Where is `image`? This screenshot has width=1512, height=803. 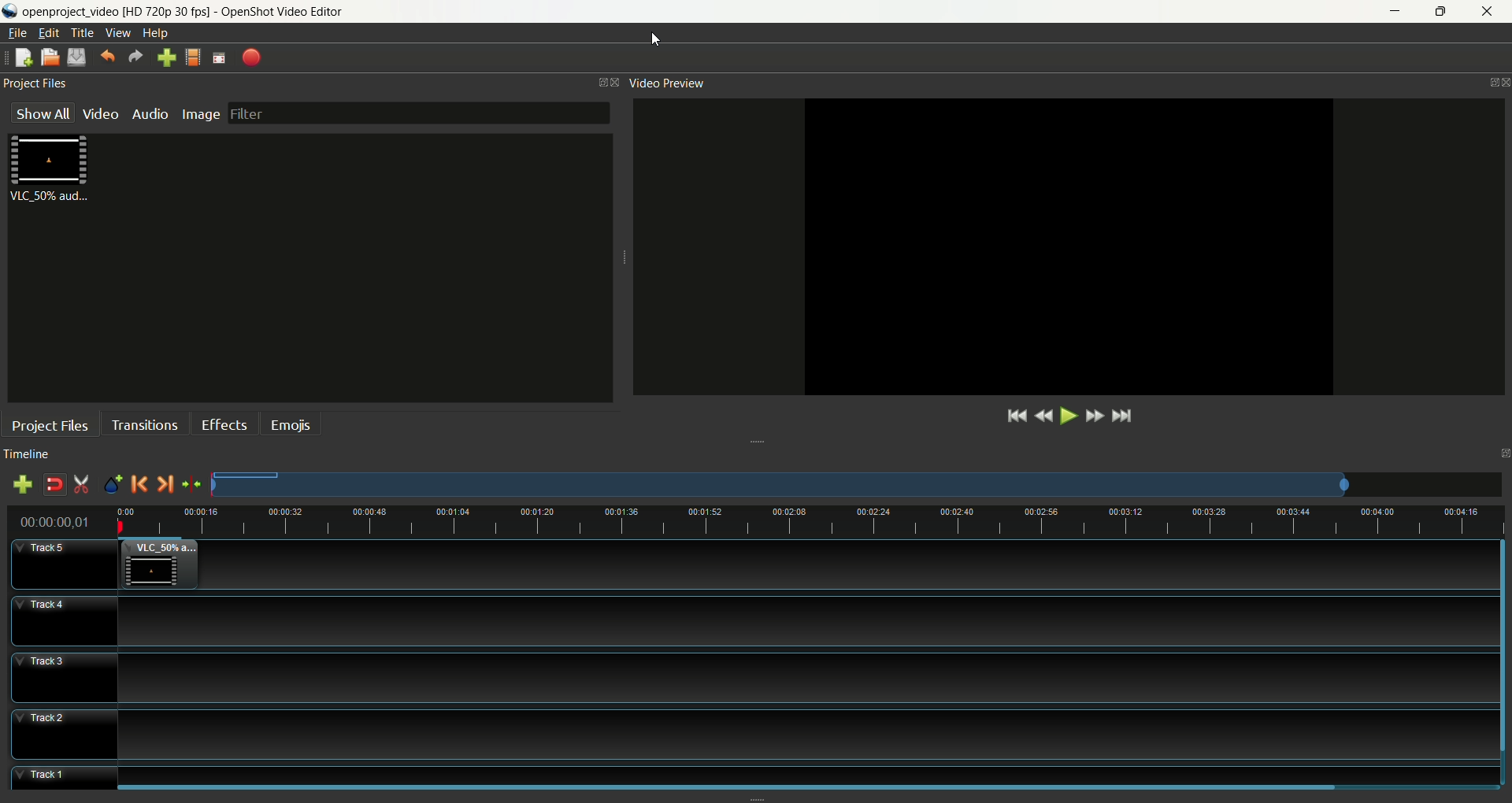 image is located at coordinates (199, 115).